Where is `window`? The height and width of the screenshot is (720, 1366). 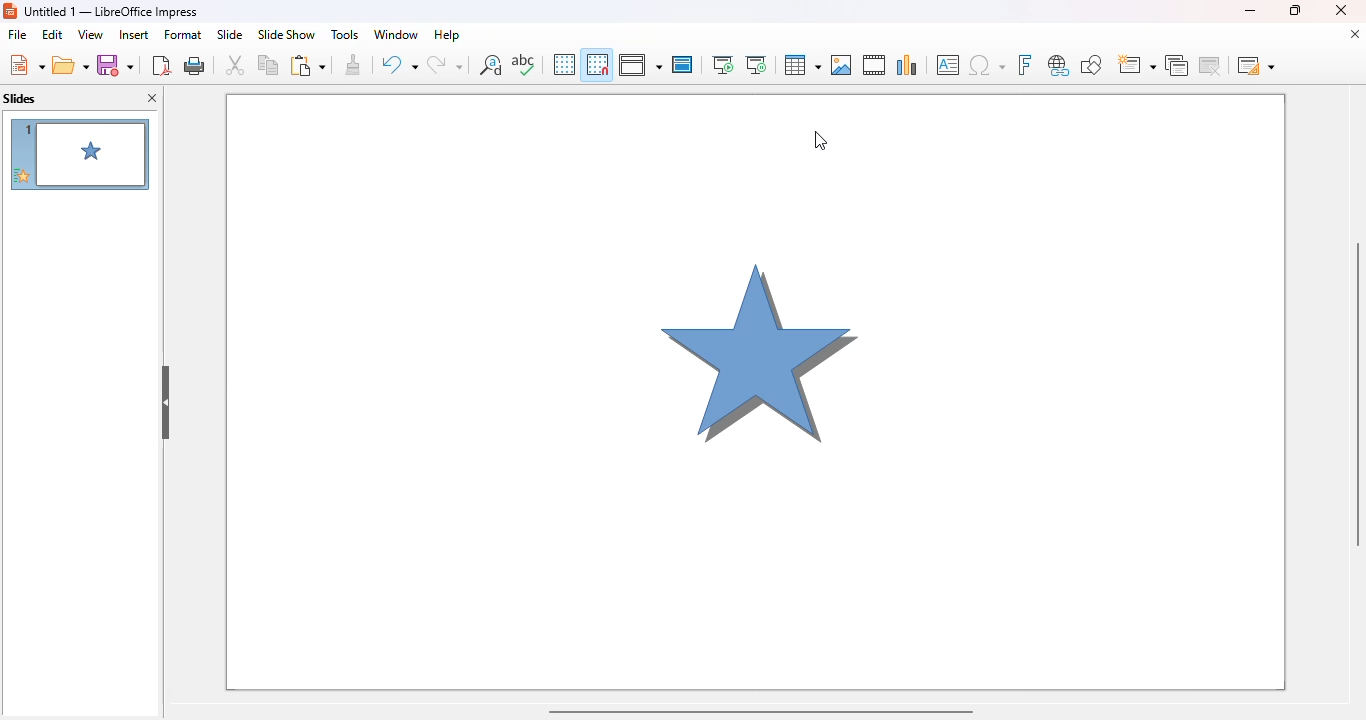 window is located at coordinates (396, 35).